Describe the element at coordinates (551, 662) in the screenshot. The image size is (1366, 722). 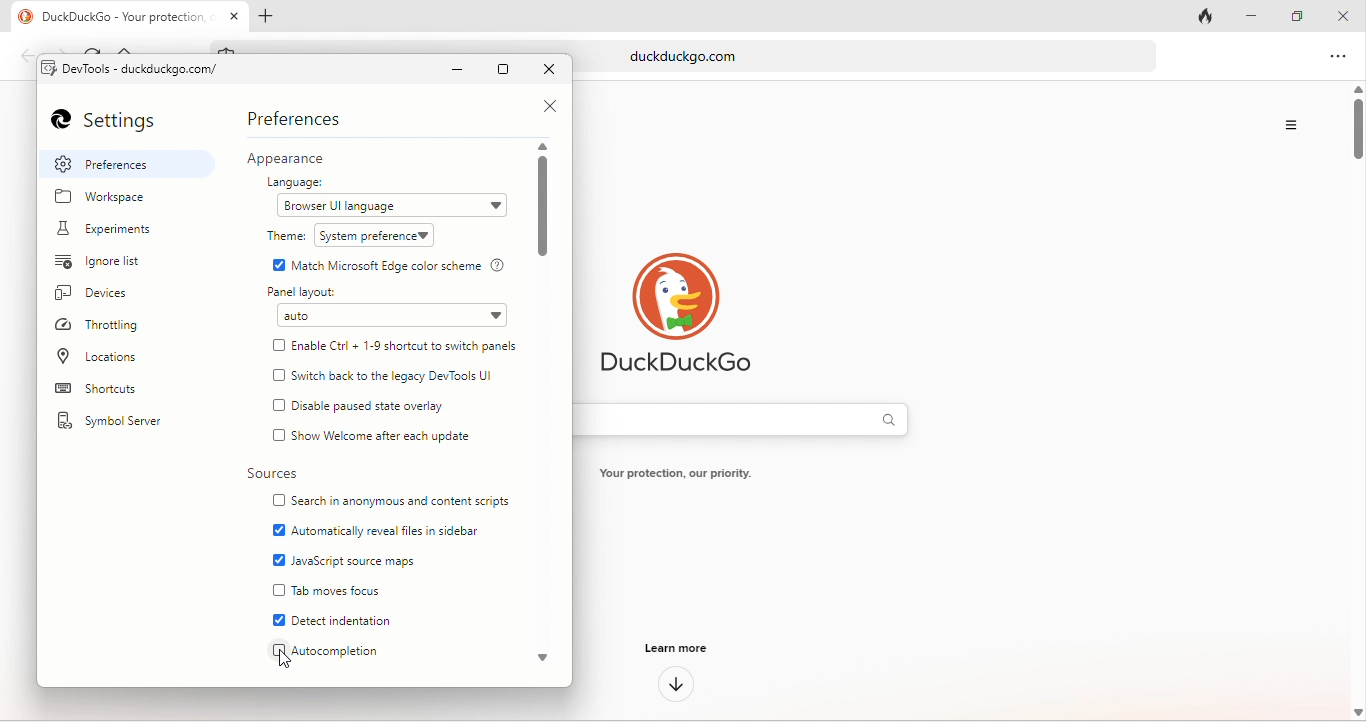
I see `scroll down` at that location.